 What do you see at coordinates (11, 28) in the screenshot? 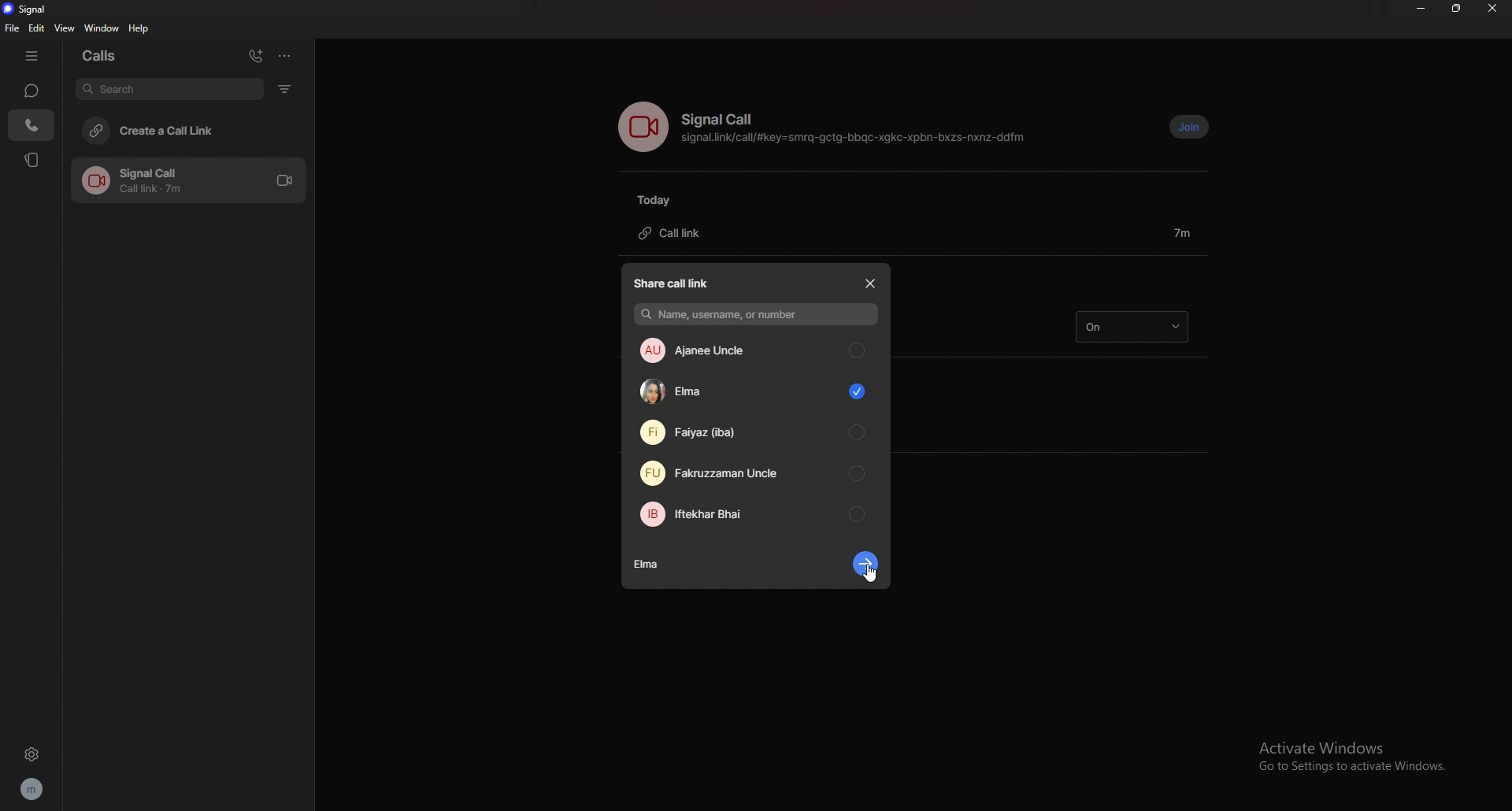
I see `file` at bounding box center [11, 28].